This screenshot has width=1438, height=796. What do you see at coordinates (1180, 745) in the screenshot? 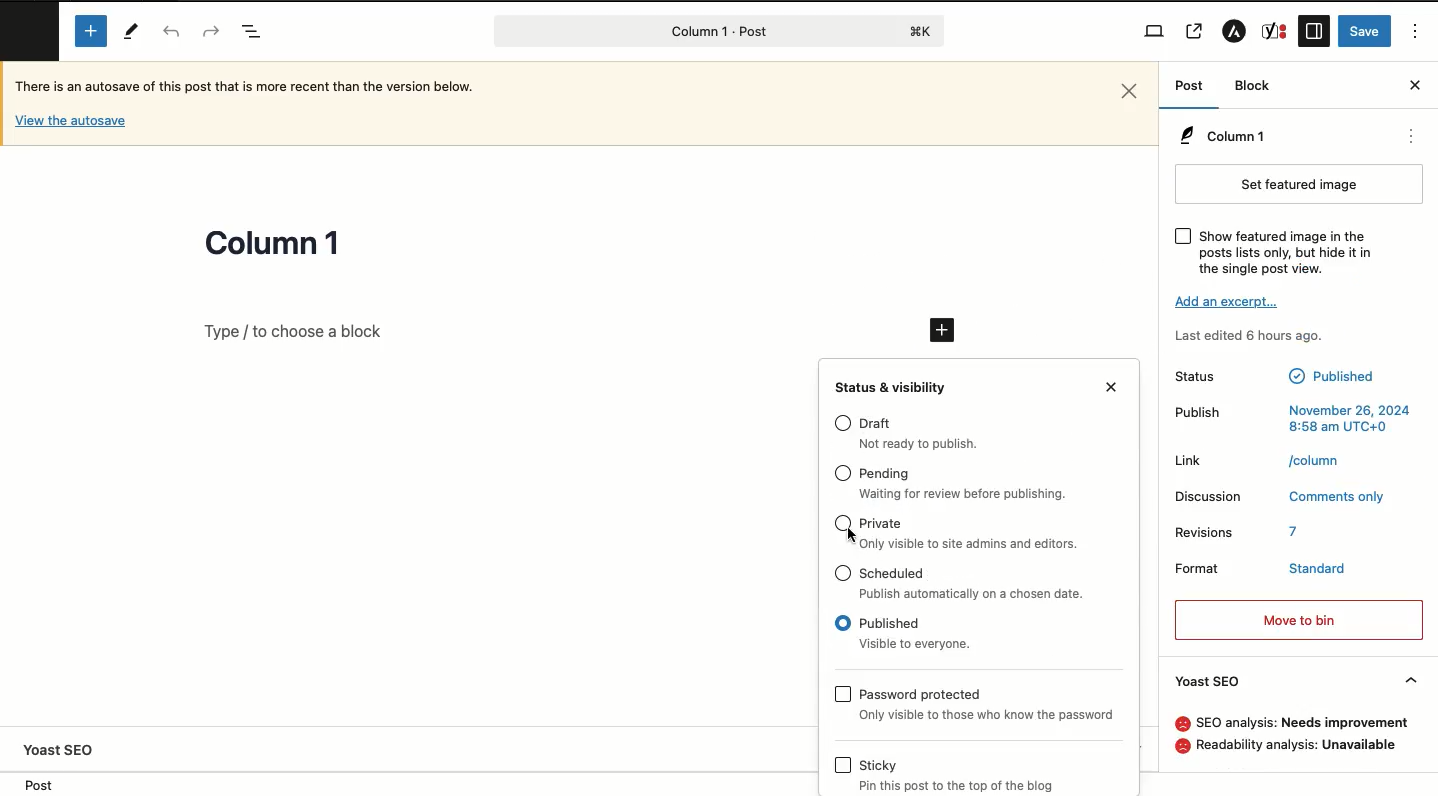
I see `emoji` at bounding box center [1180, 745].